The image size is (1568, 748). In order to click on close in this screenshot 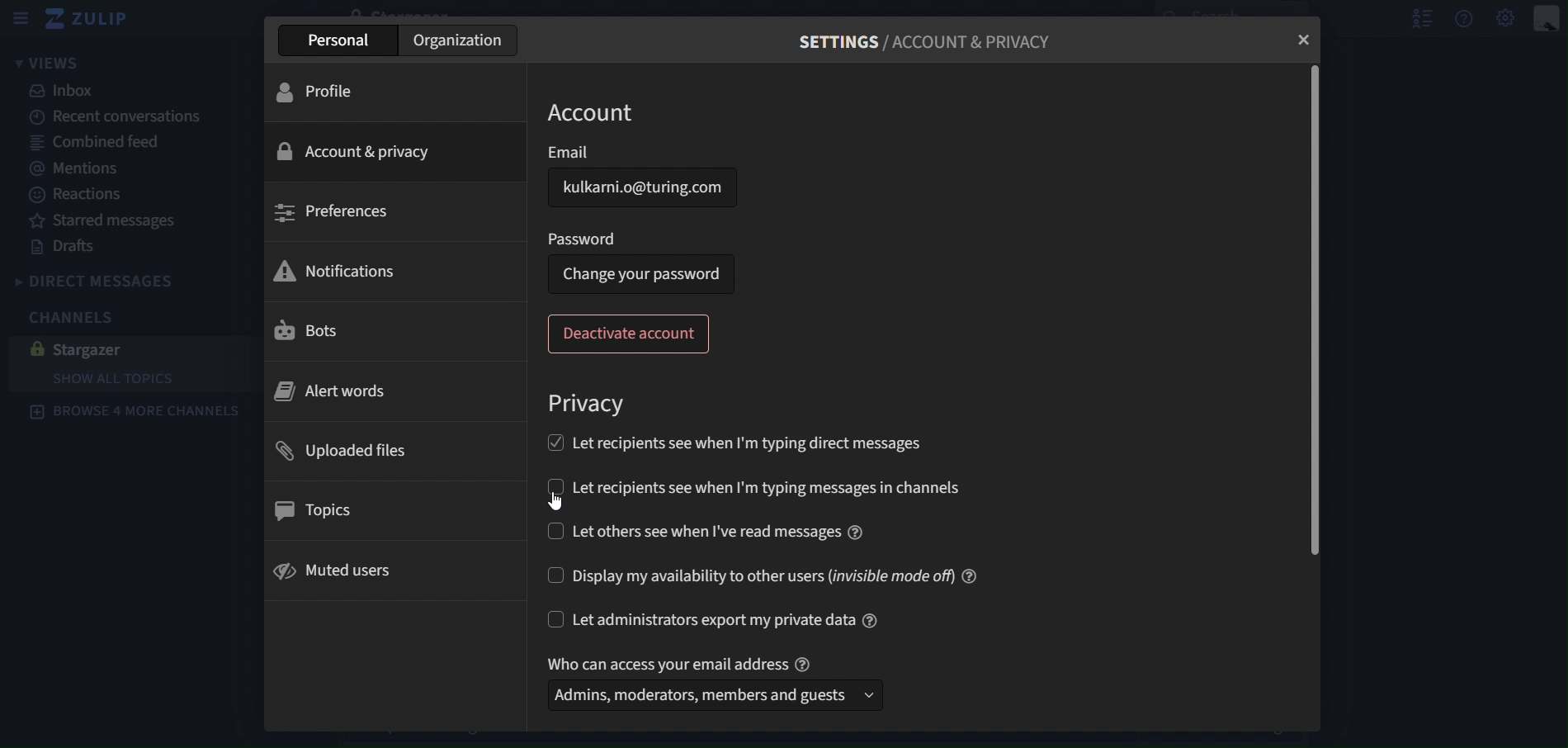, I will do `click(1306, 39)`.